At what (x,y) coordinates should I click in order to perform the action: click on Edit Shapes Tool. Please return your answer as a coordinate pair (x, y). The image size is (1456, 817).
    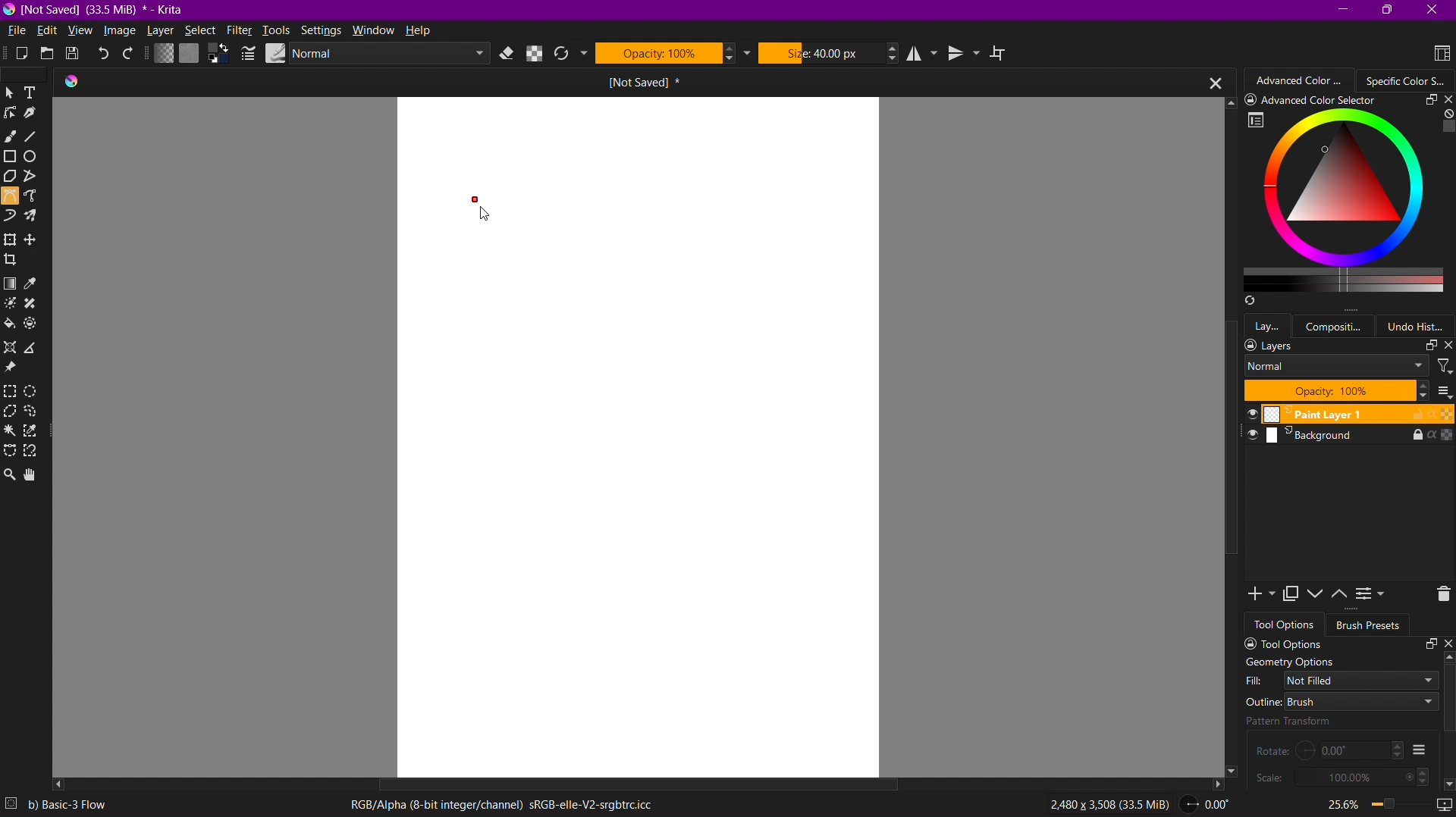
    Looking at the image, I should click on (13, 117).